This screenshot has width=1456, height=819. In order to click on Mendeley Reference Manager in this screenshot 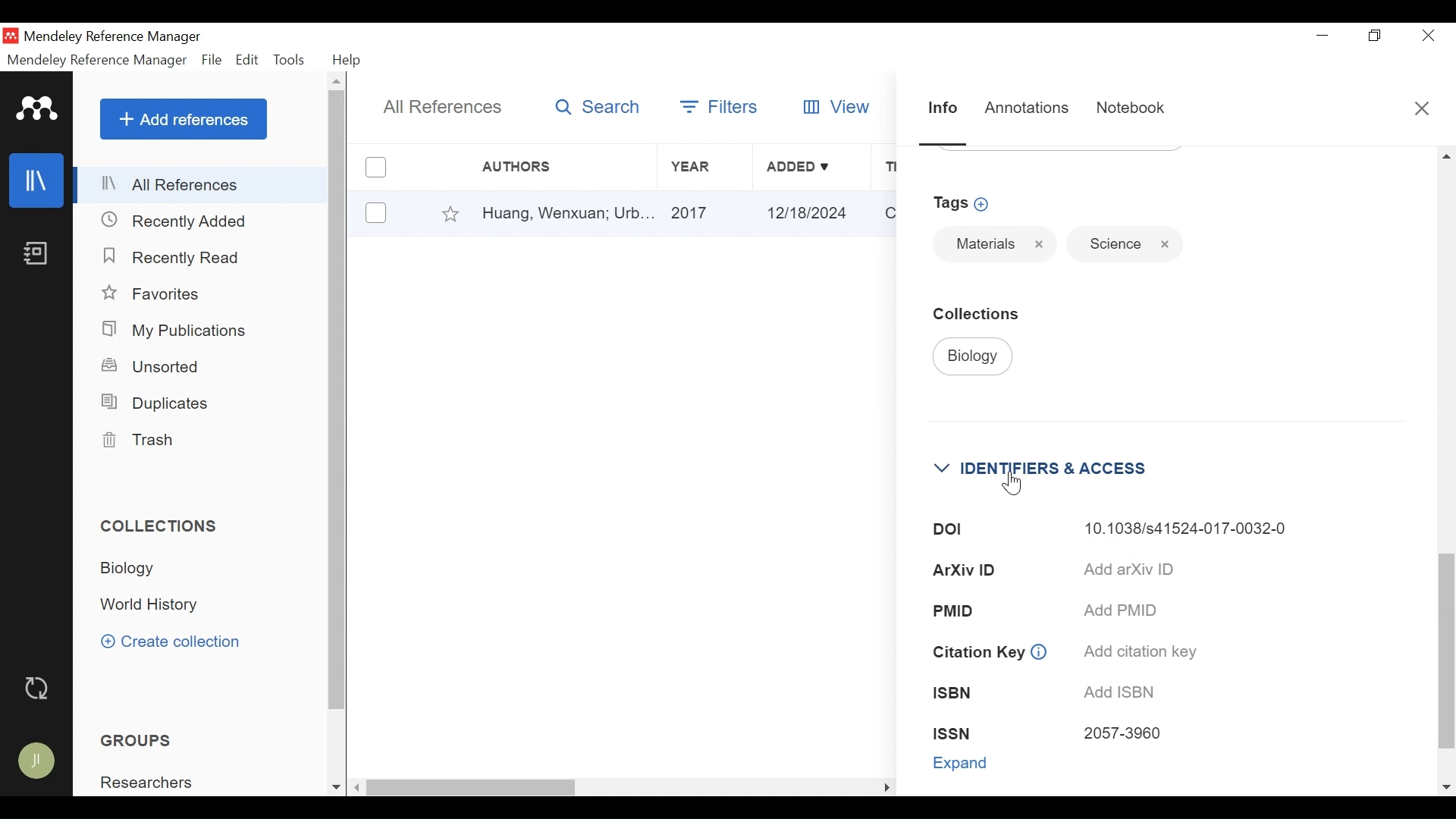, I will do `click(118, 37)`.